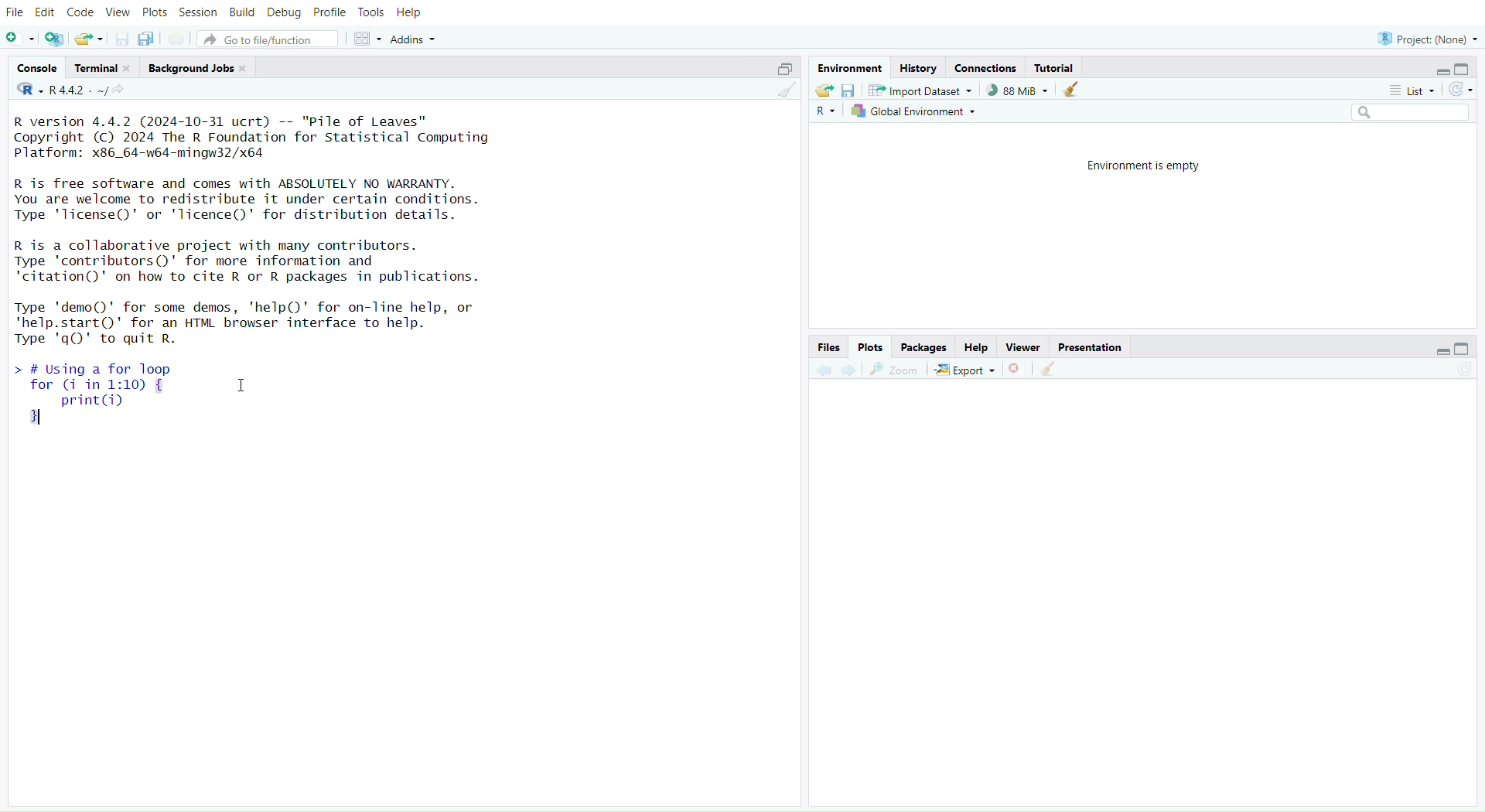 Image resolution: width=1485 pixels, height=812 pixels. I want to click on cursor, so click(241, 387).